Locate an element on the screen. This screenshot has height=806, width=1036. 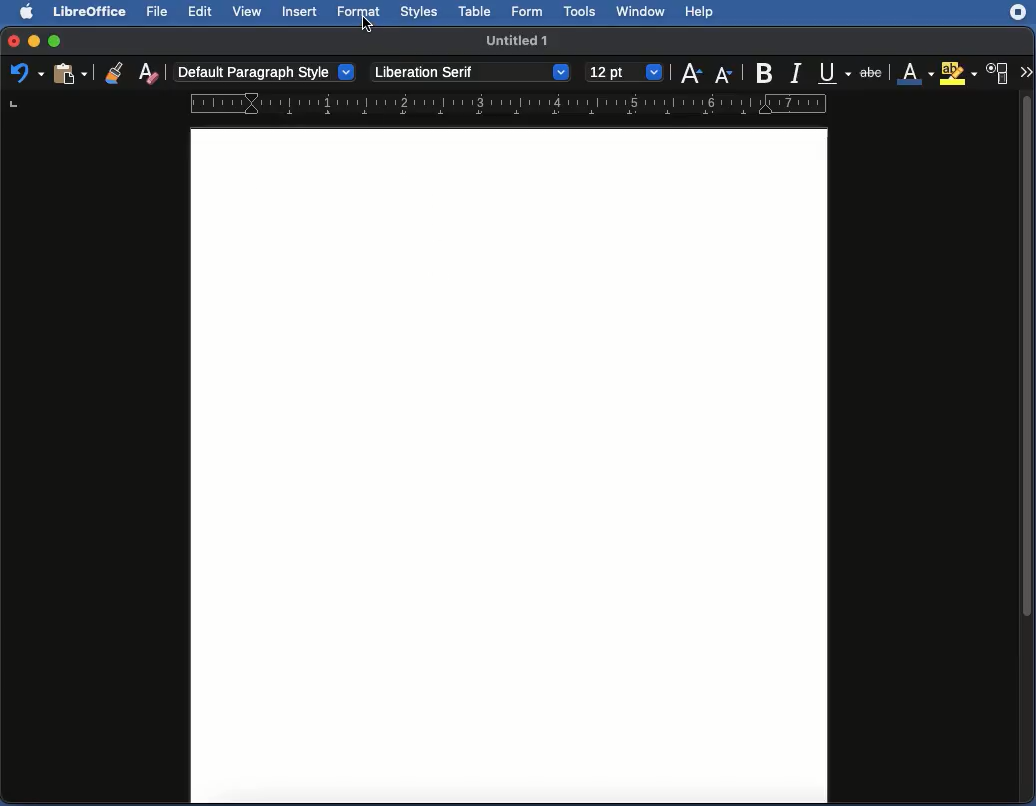
Strikethrough is located at coordinates (871, 69).